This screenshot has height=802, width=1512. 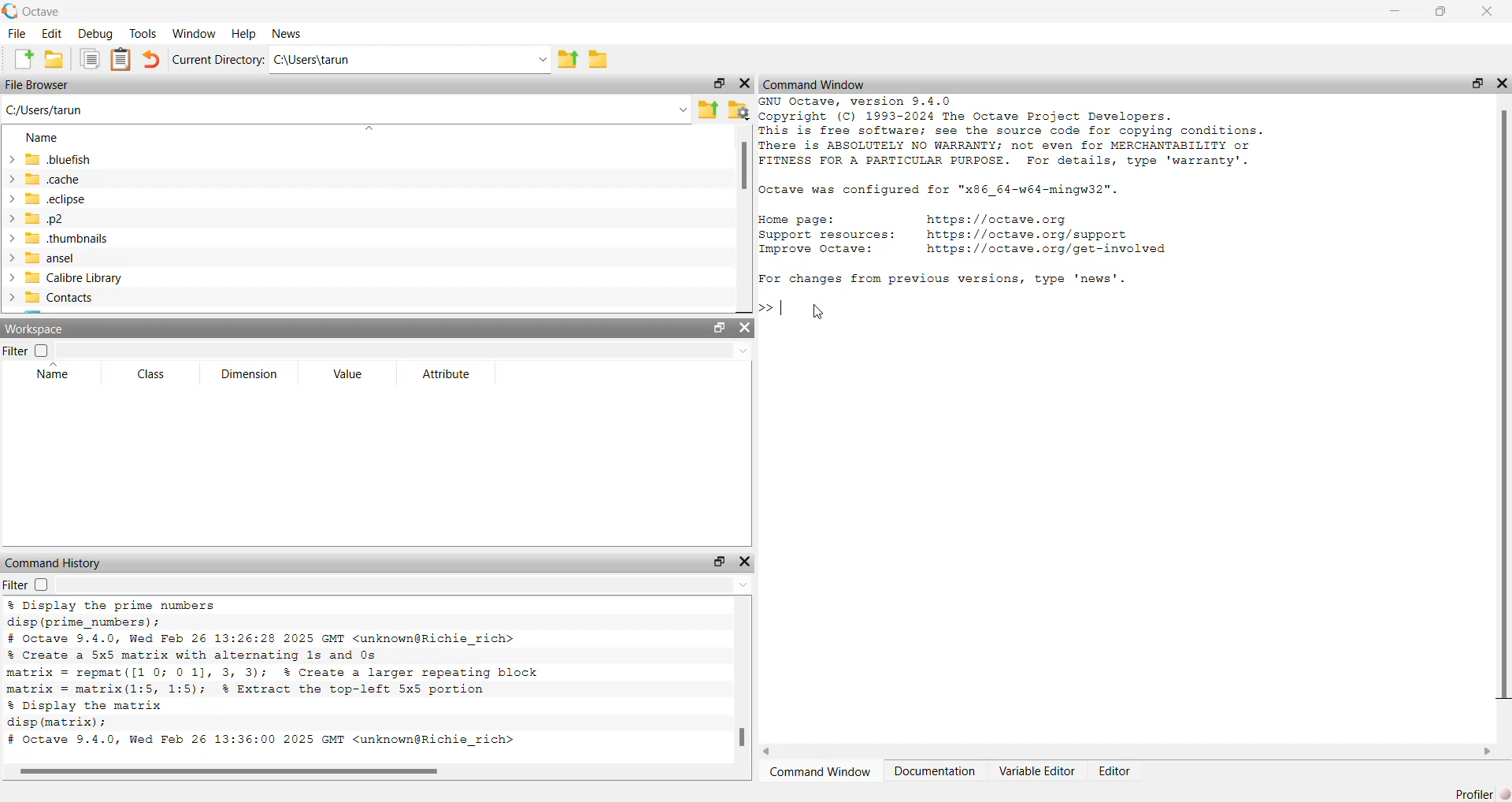 What do you see at coordinates (709, 108) in the screenshot?
I see `one directory up` at bounding box center [709, 108].